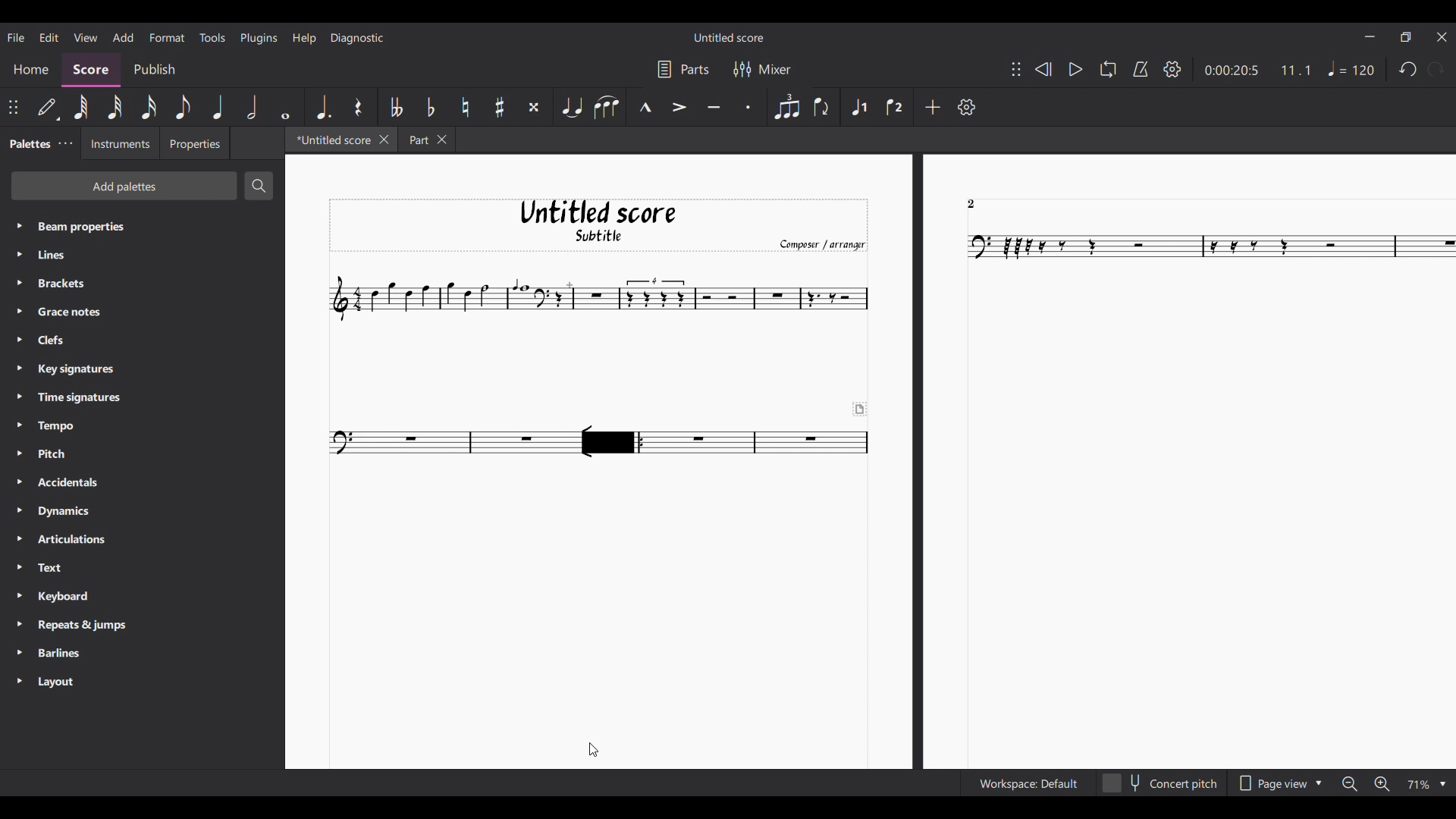 The image size is (1456, 819). Describe the element at coordinates (19, 454) in the screenshot. I see `Expand` at that location.